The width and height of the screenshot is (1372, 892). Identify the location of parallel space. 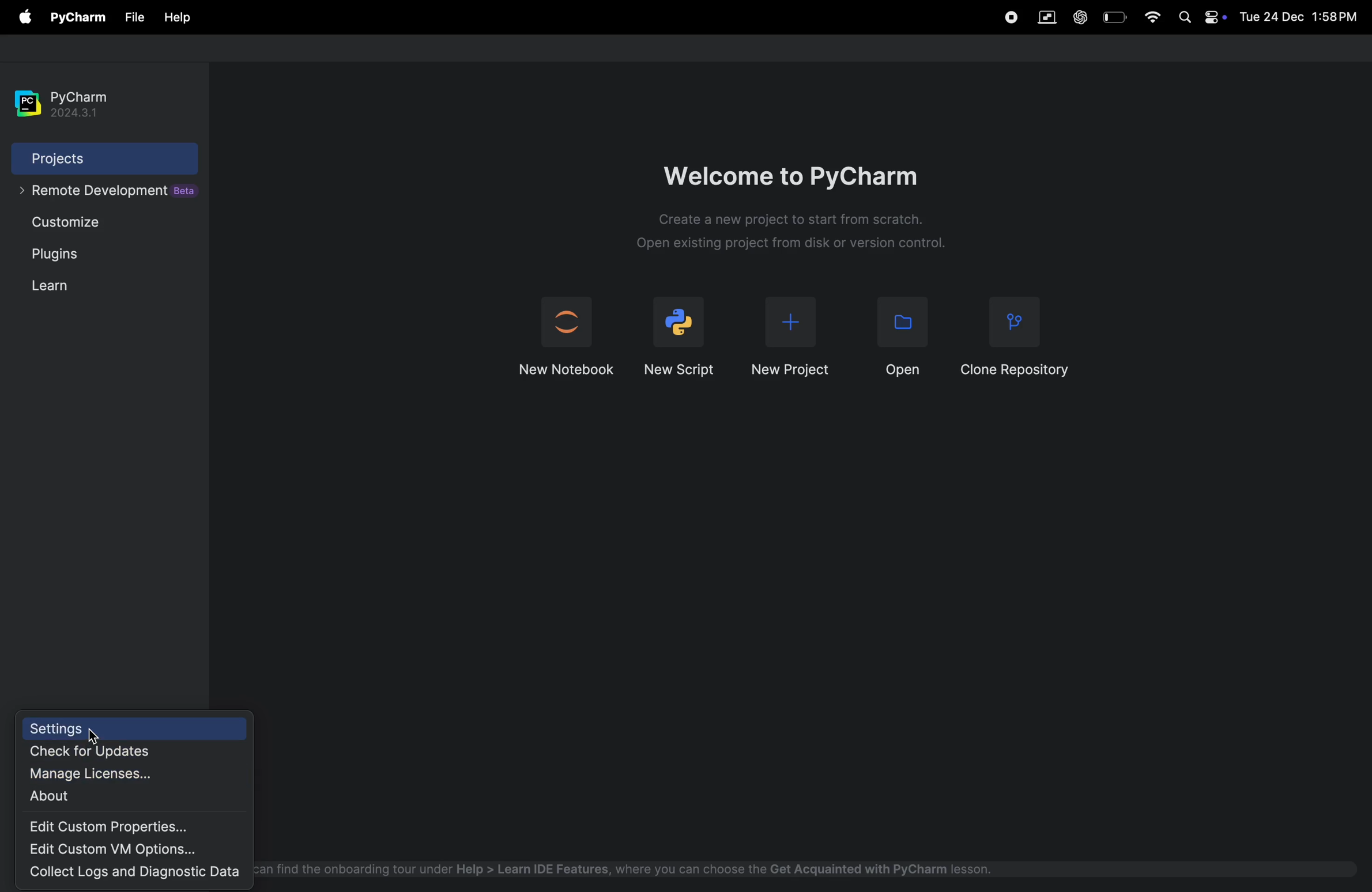
(1050, 17).